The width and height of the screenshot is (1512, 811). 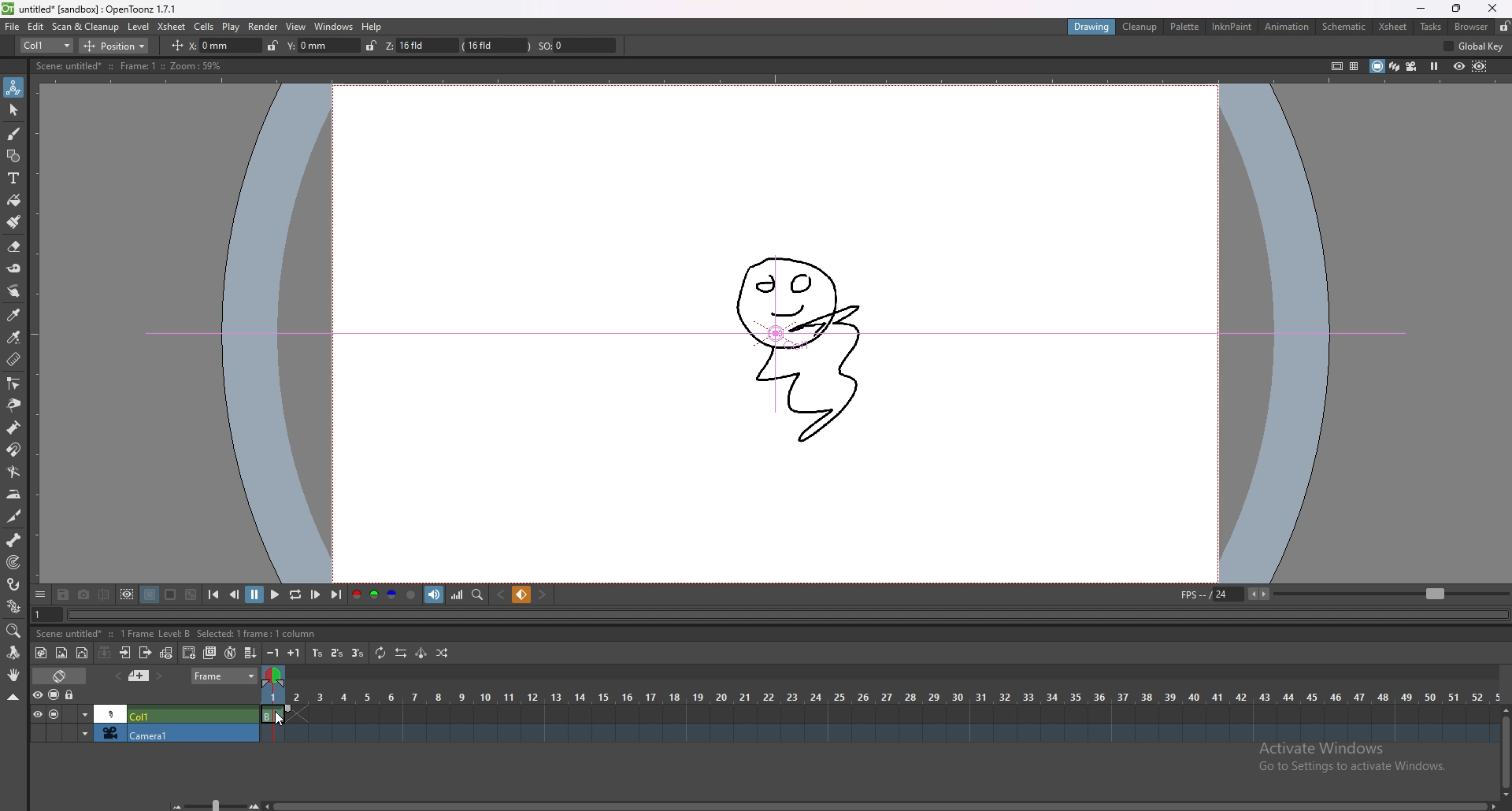 What do you see at coordinates (93, 9) in the screenshot?
I see `title` at bounding box center [93, 9].